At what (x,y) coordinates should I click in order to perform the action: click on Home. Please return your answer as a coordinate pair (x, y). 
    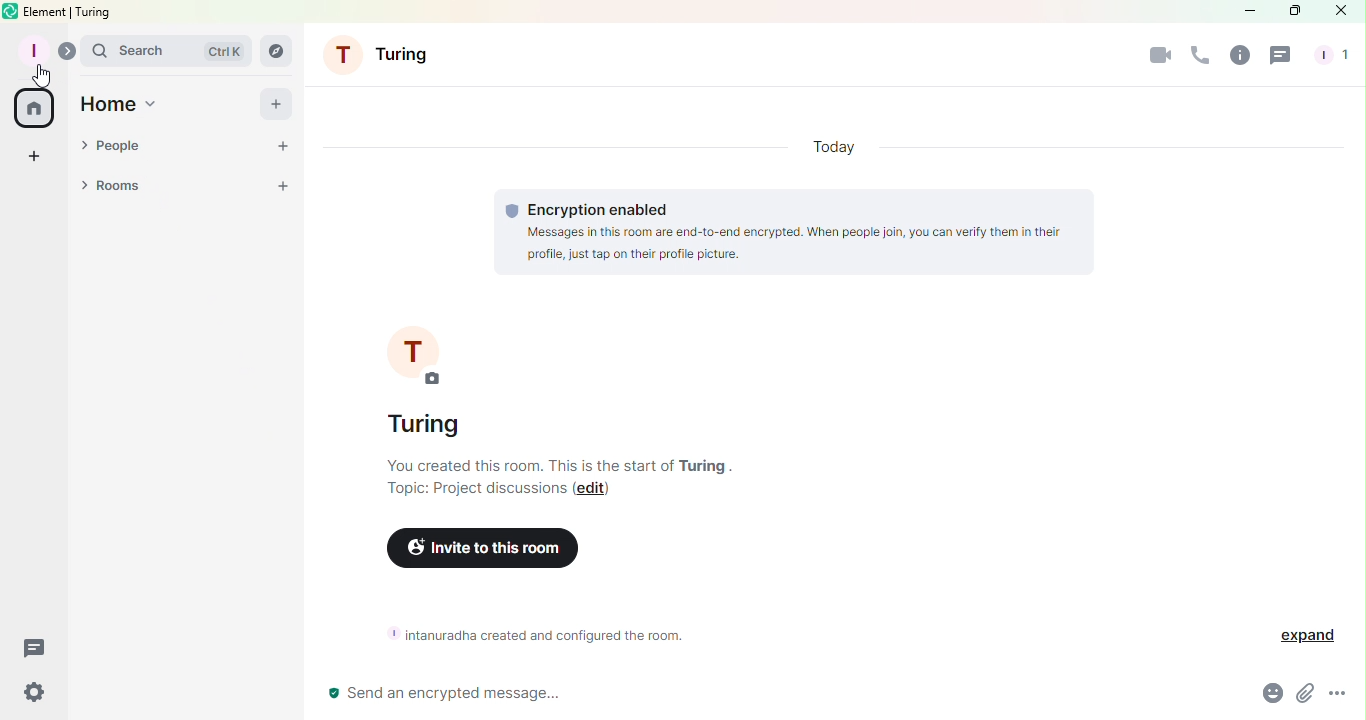
    Looking at the image, I should click on (120, 104).